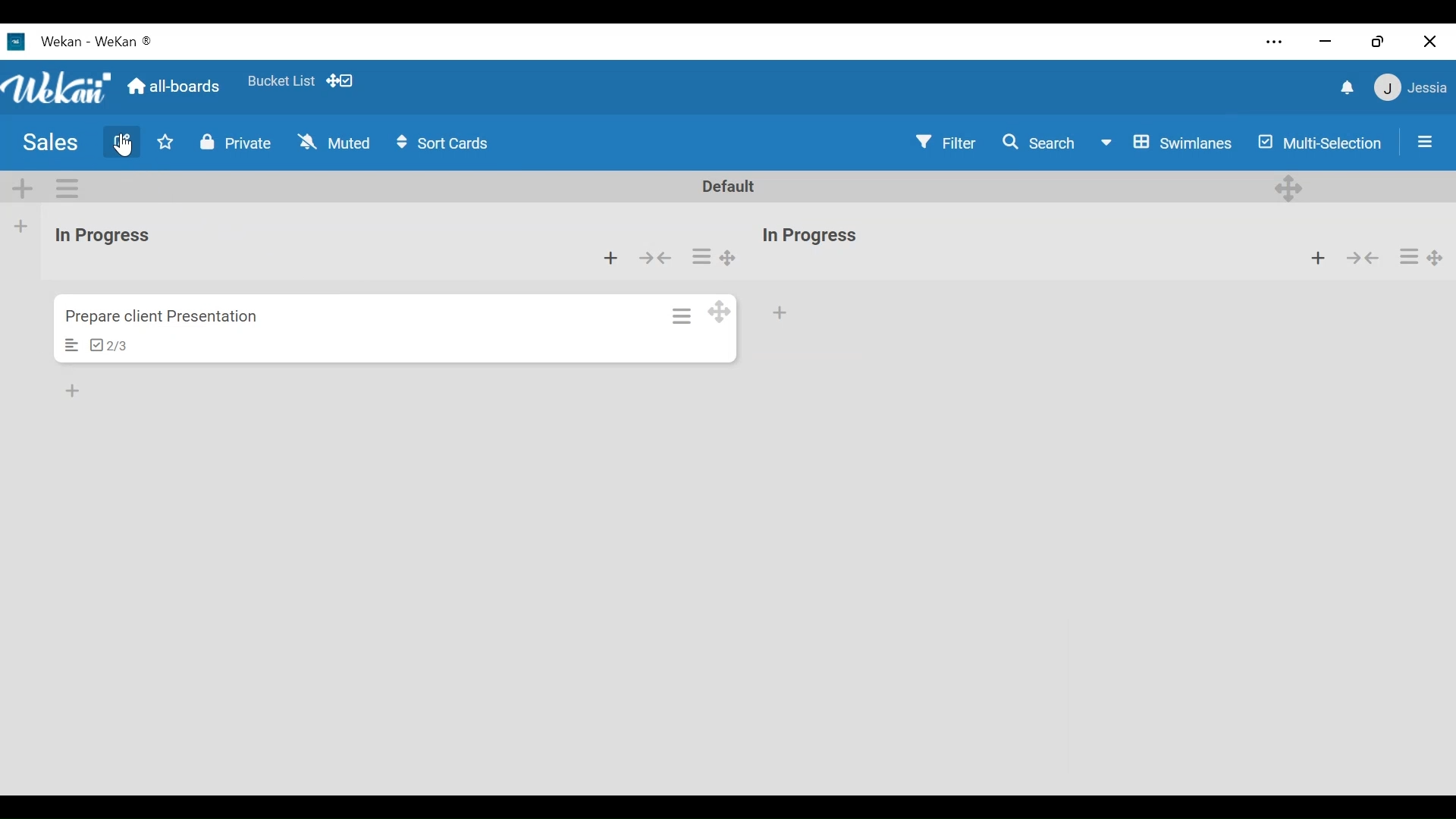 Image resolution: width=1456 pixels, height=819 pixels. I want to click on Desktop drag handle, so click(718, 311).